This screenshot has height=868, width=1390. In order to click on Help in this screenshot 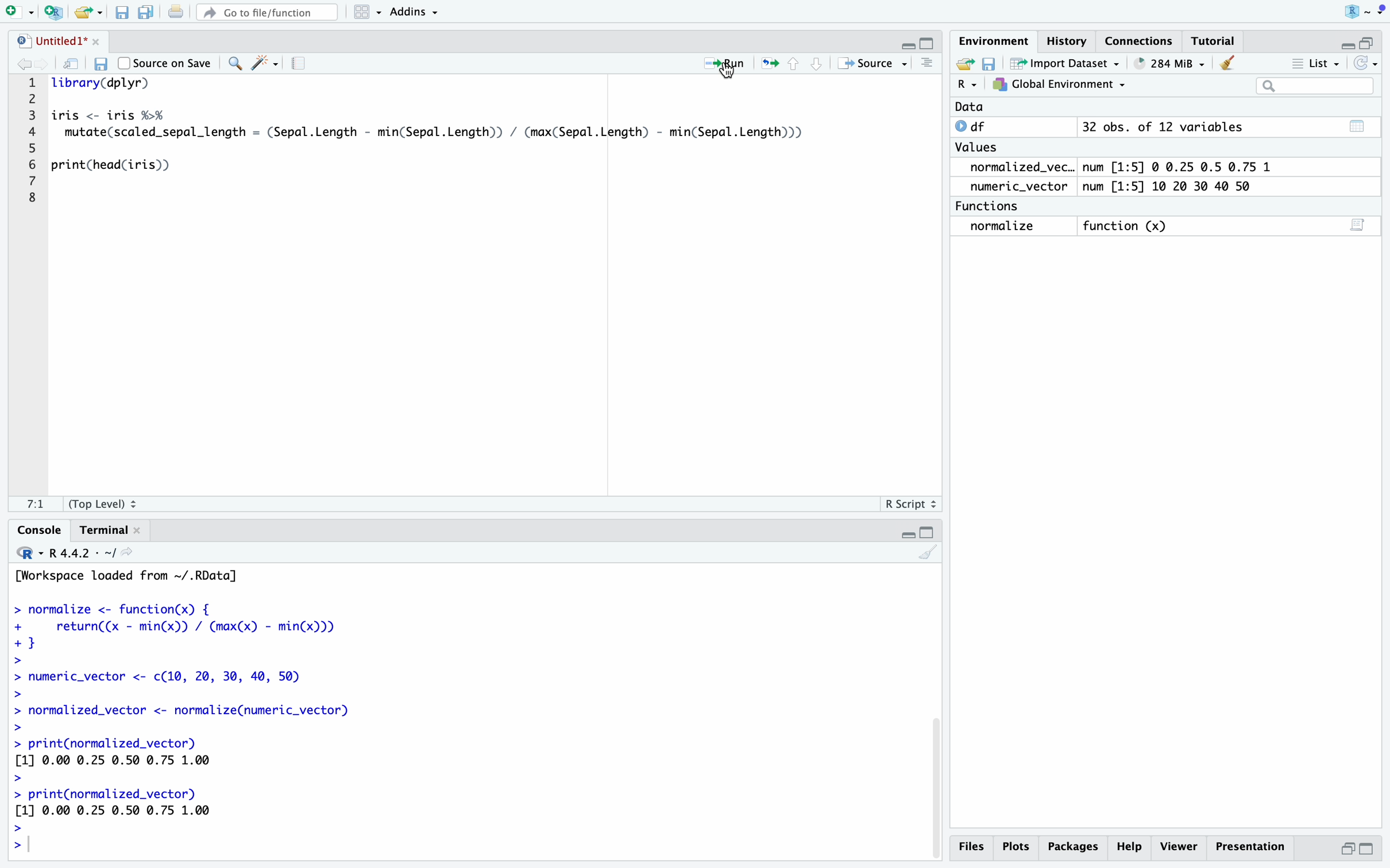, I will do `click(1132, 846)`.